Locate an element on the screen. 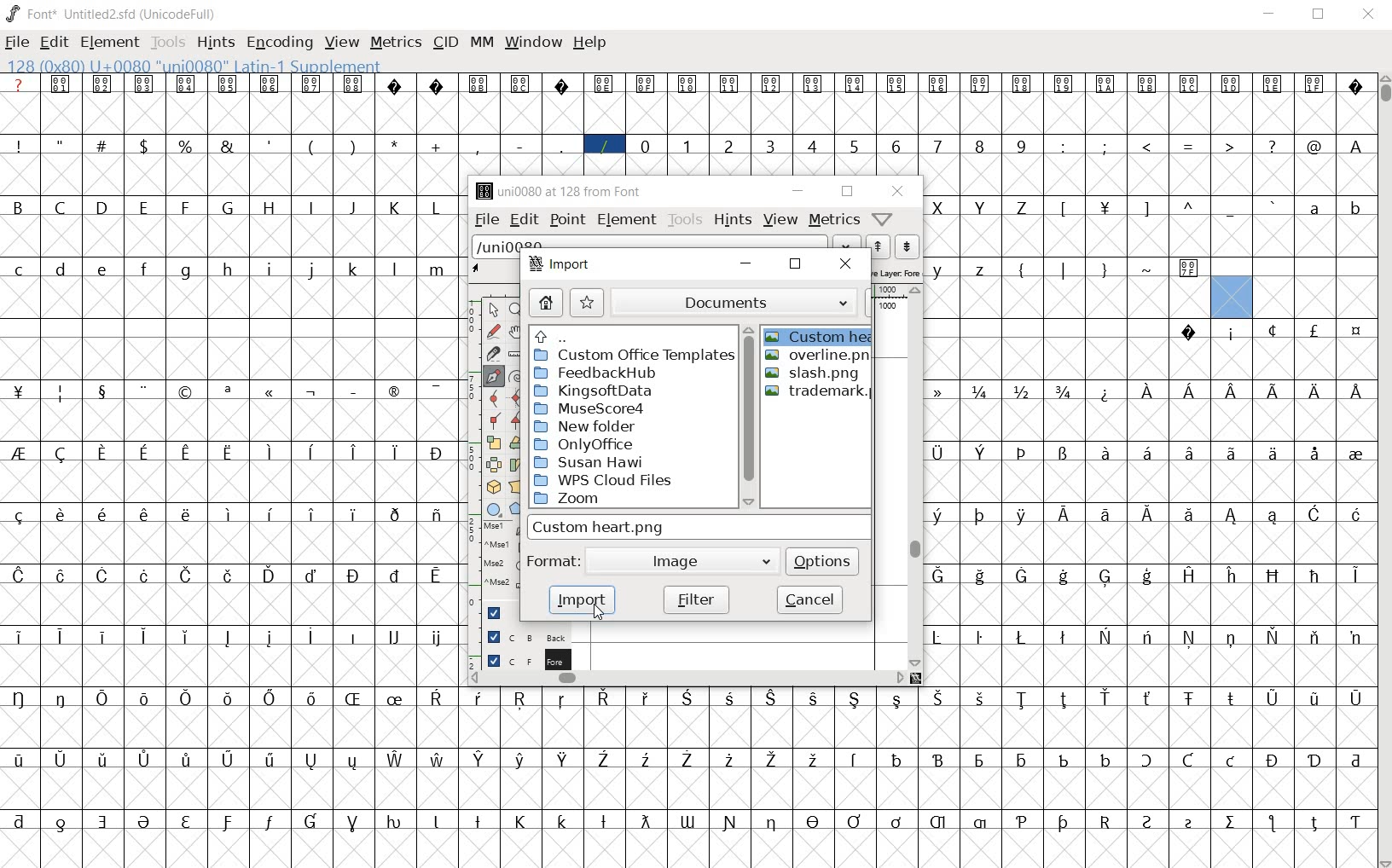 This screenshot has height=868, width=1392. glyph is located at coordinates (393, 269).